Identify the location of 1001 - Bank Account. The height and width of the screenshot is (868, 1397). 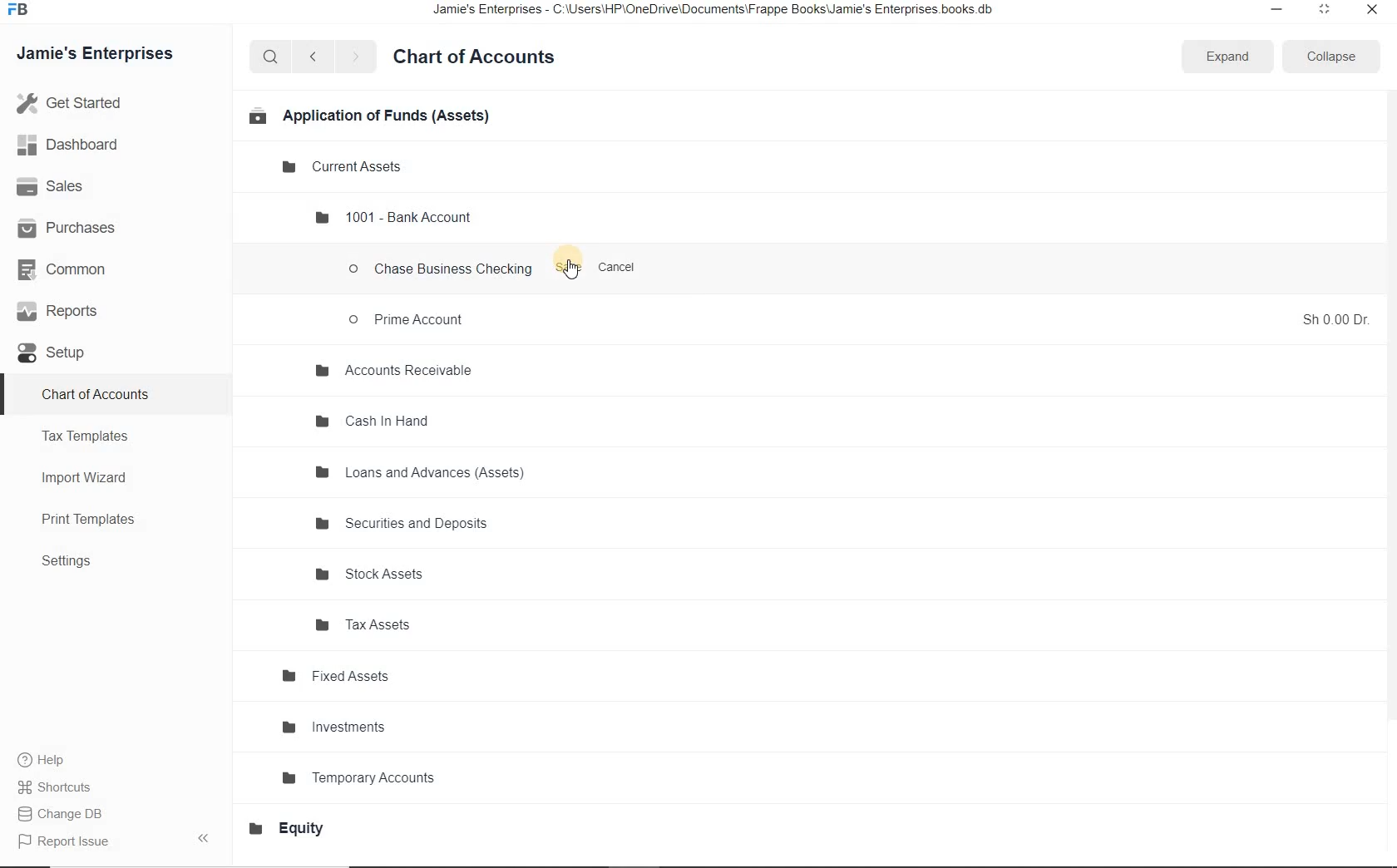
(393, 216).